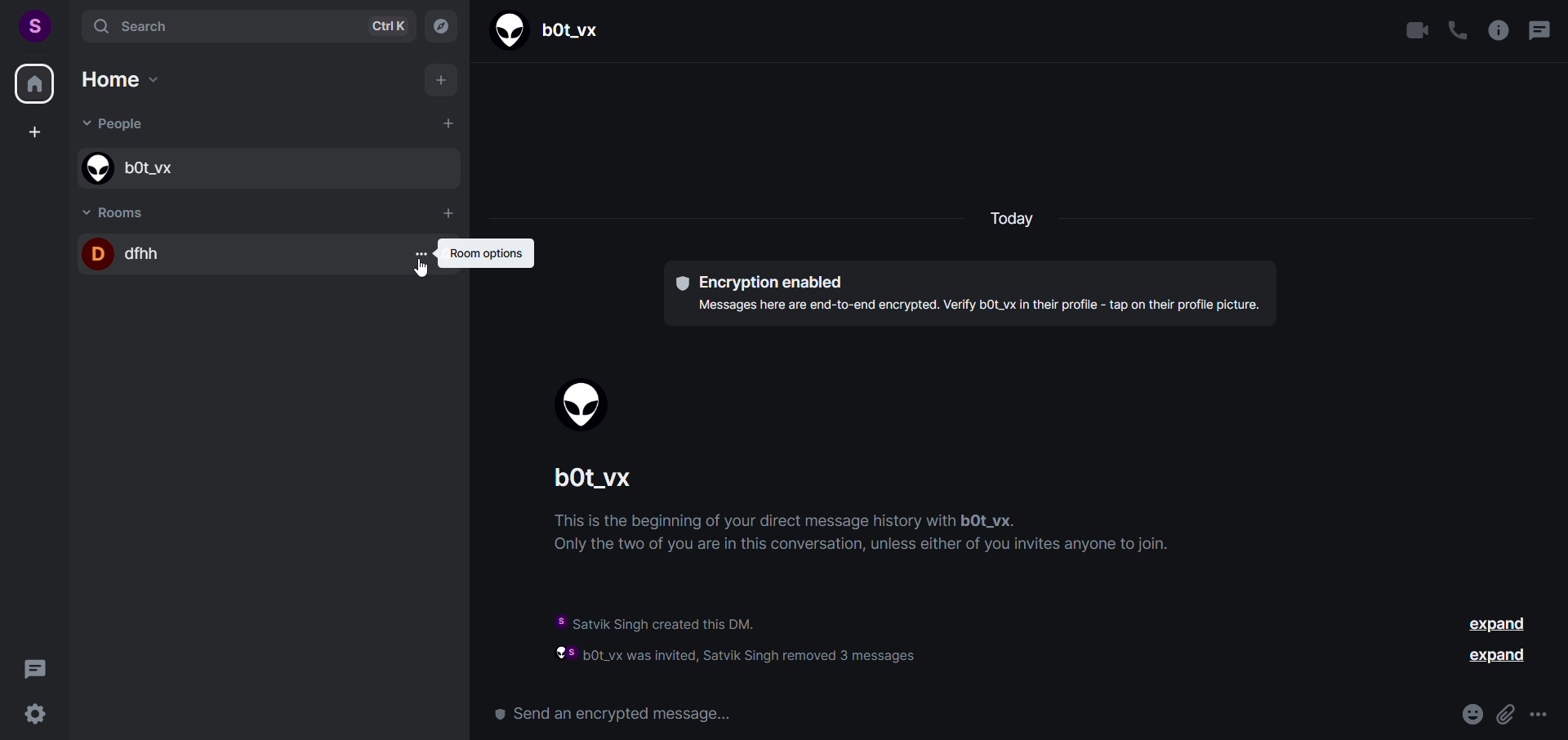  Describe the element at coordinates (1456, 32) in the screenshot. I see `call` at that location.